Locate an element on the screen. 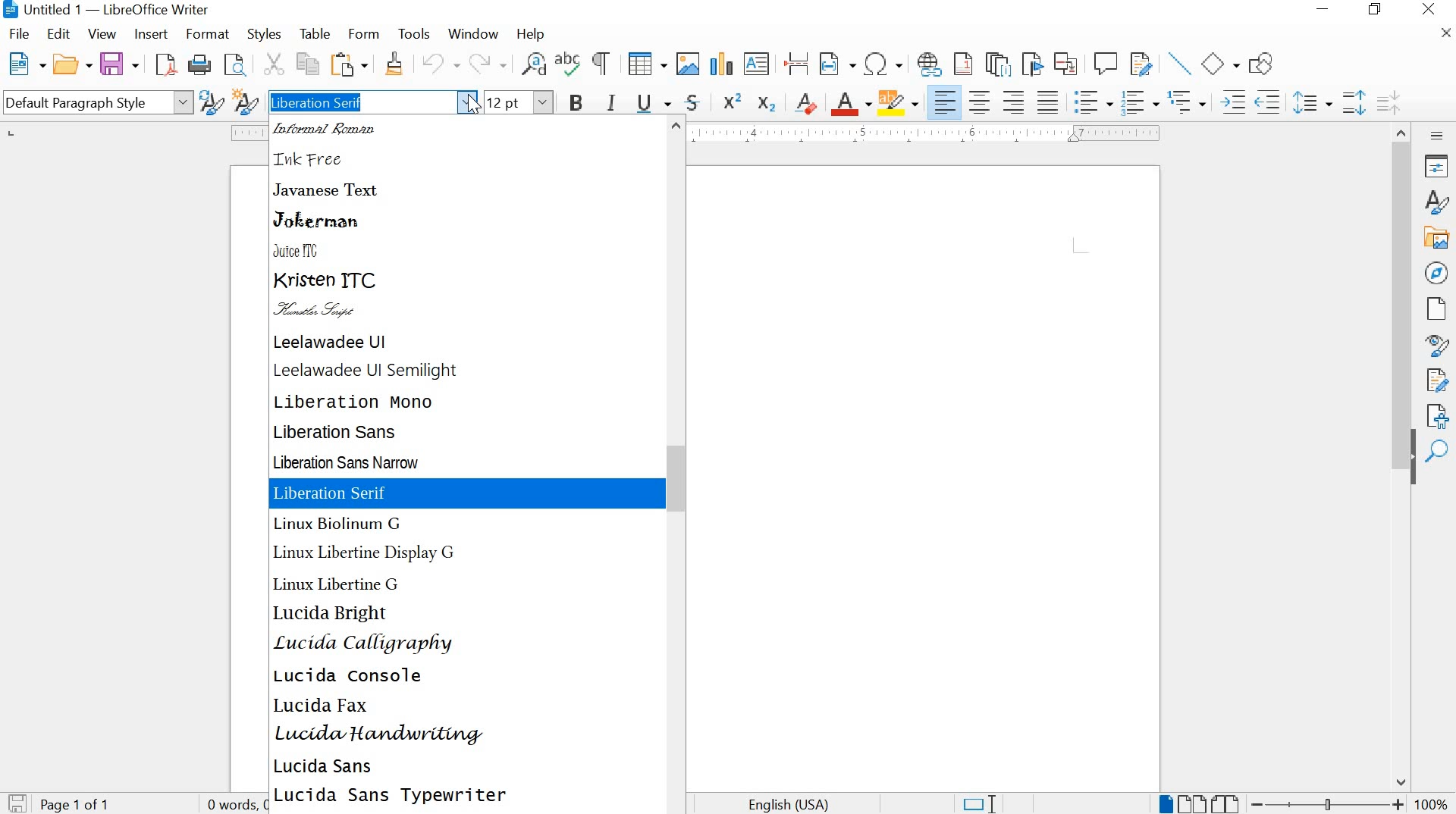  FONT SIZE is located at coordinates (519, 102).